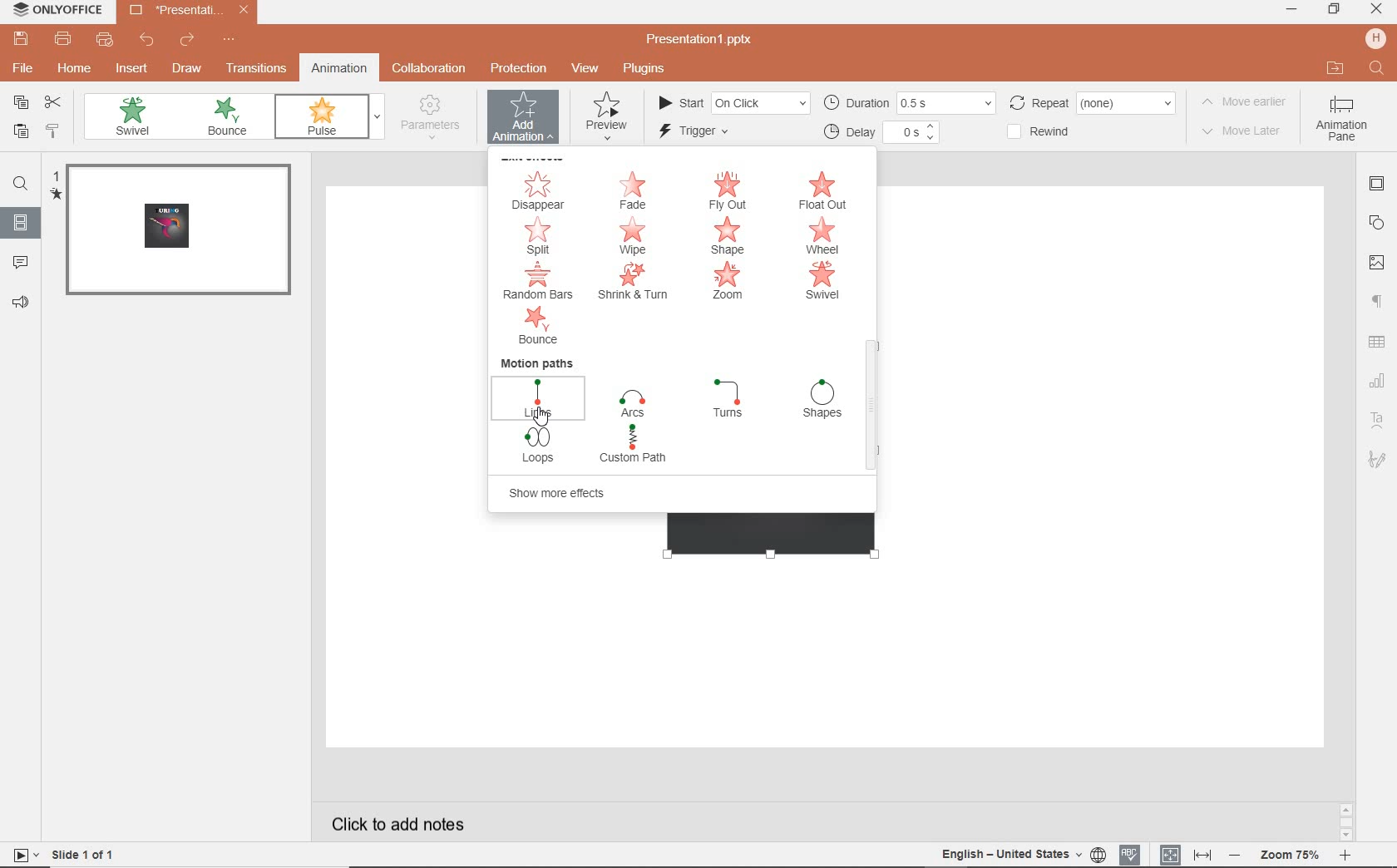  I want to click on random bars, so click(534, 283).